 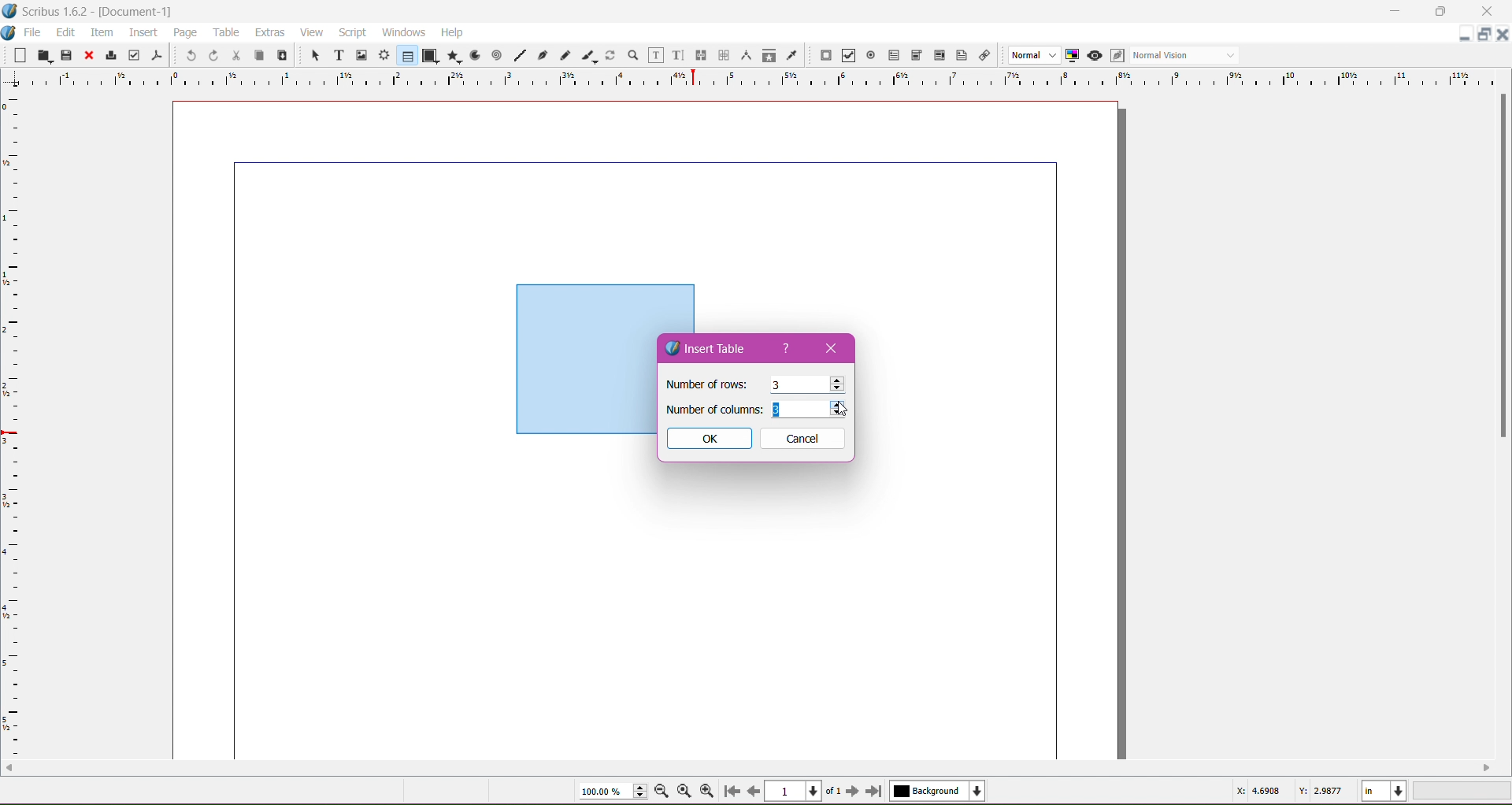 I want to click on Maximize, so click(x=1485, y=35).